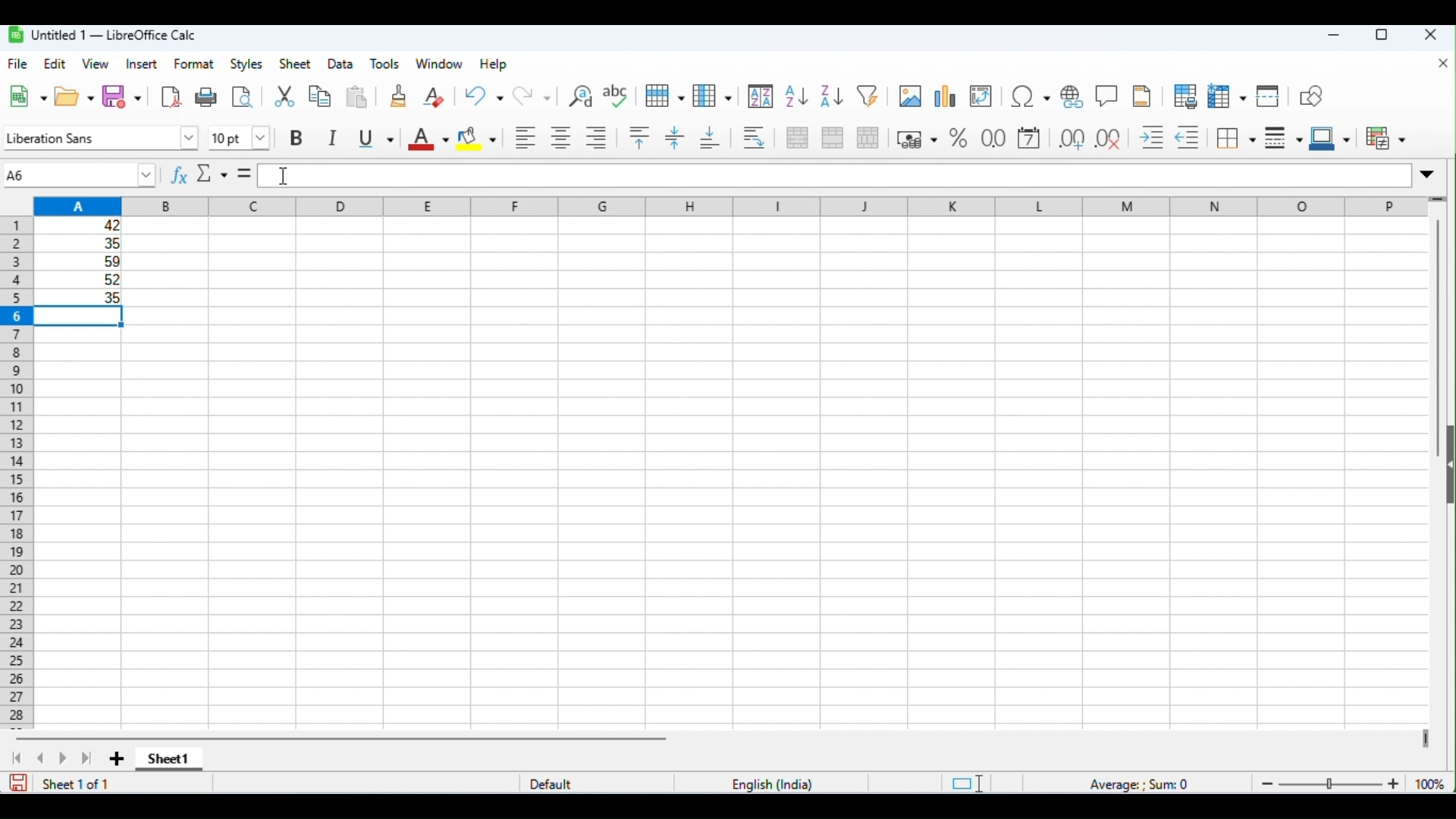 Image resolution: width=1456 pixels, height=819 pixels. I want to click on merge cells, so click(832, 137).